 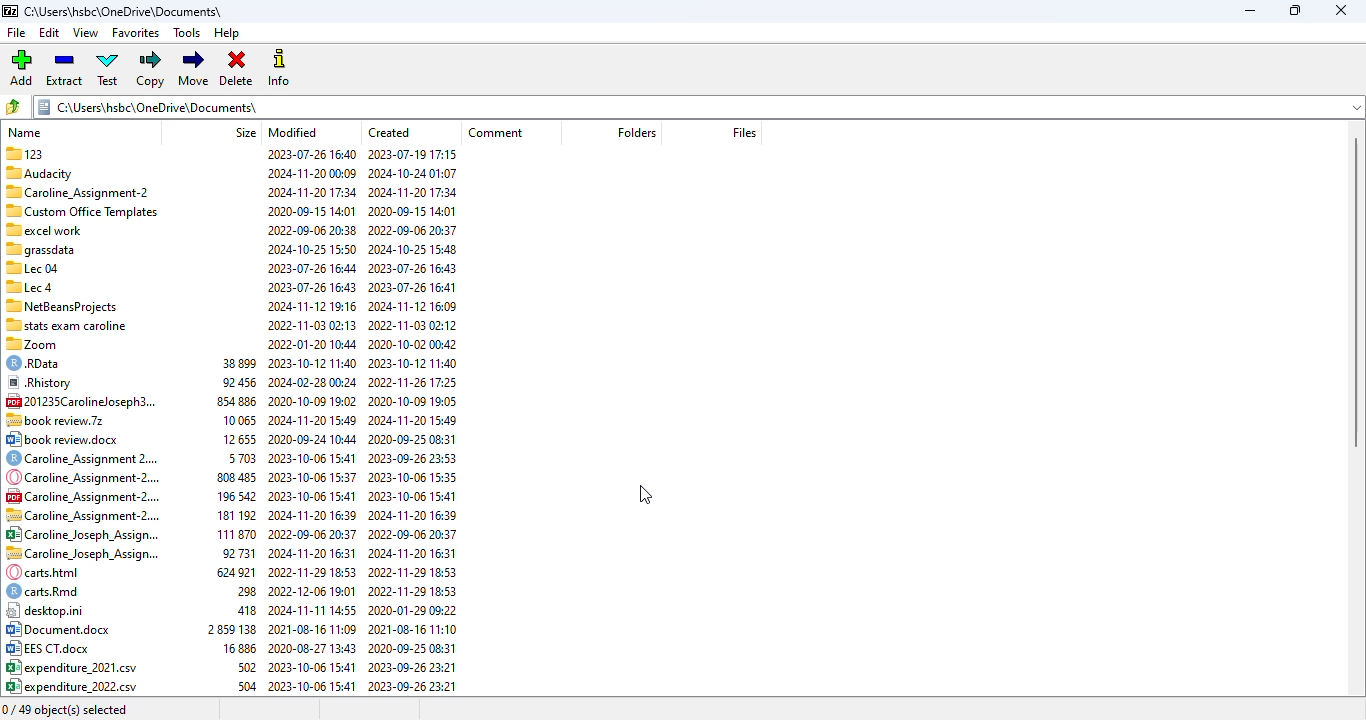 What do you see at coordinates (193, 69) in the screenshot?
I see `move` at bounding box center [193, 69].